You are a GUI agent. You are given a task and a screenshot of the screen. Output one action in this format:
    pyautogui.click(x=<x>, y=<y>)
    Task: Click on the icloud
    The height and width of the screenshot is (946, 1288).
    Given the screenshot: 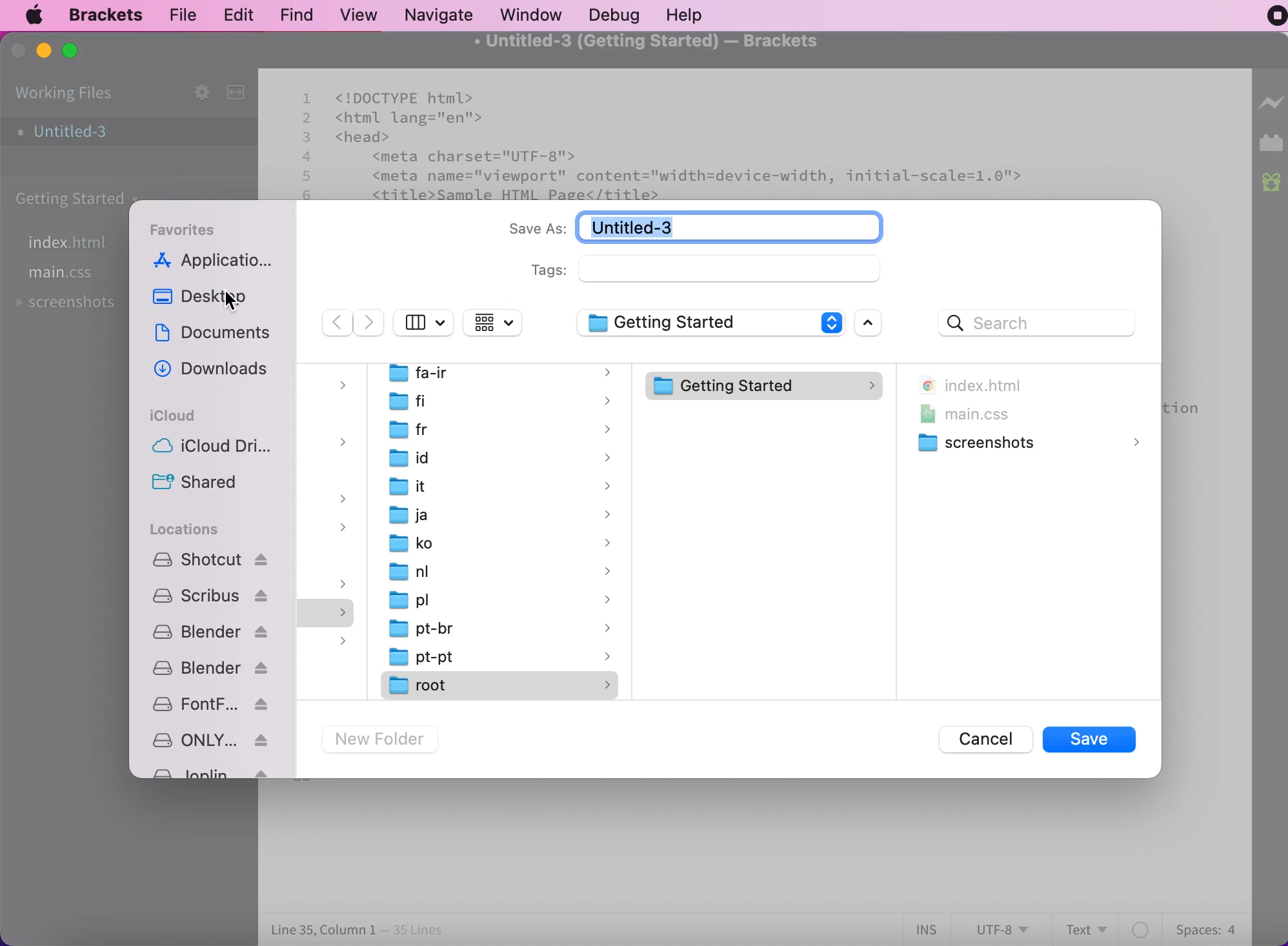 What is the action you would take?
    pyautogui.click(x=176, y=415)
    